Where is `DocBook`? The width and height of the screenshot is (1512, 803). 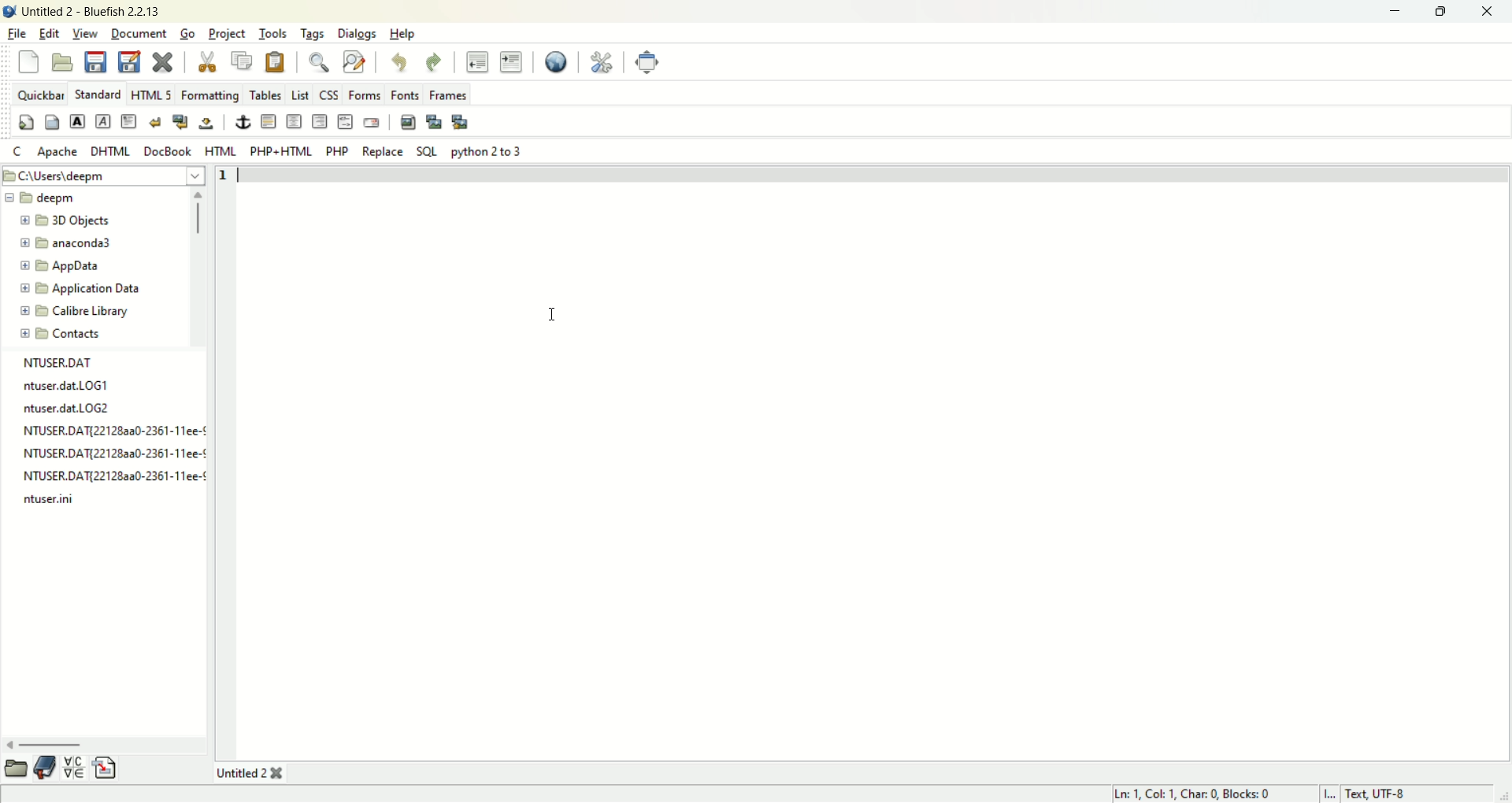
DocBook is located at coordinates (168, 152).